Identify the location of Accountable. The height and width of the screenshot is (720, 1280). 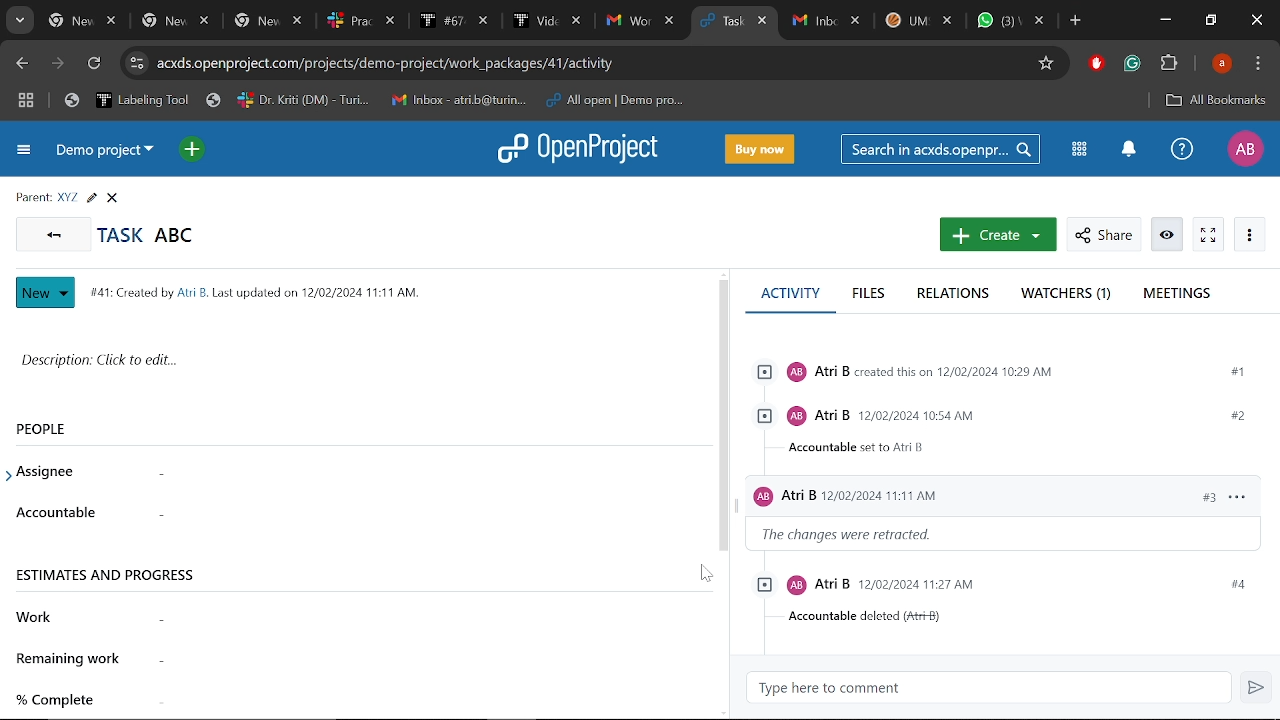
(58, 514).